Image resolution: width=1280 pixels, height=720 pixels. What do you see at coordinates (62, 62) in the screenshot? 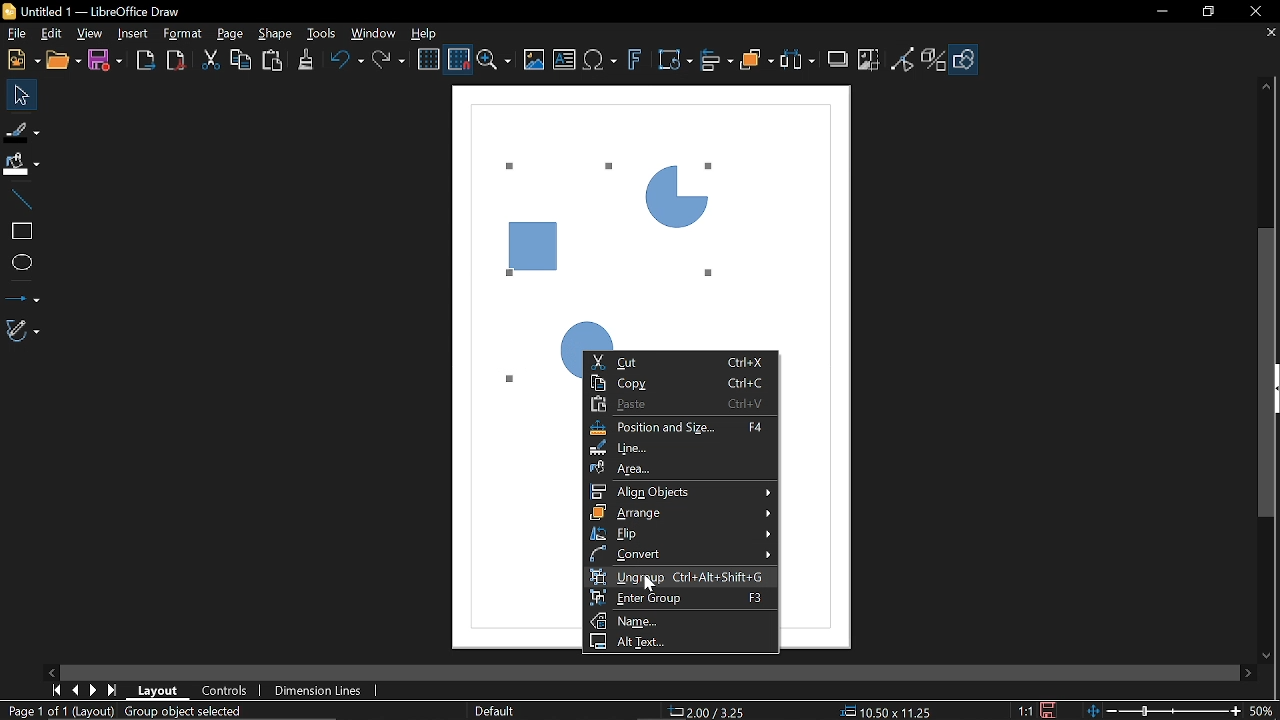
I see `Open` at bounding box center [62, 62].